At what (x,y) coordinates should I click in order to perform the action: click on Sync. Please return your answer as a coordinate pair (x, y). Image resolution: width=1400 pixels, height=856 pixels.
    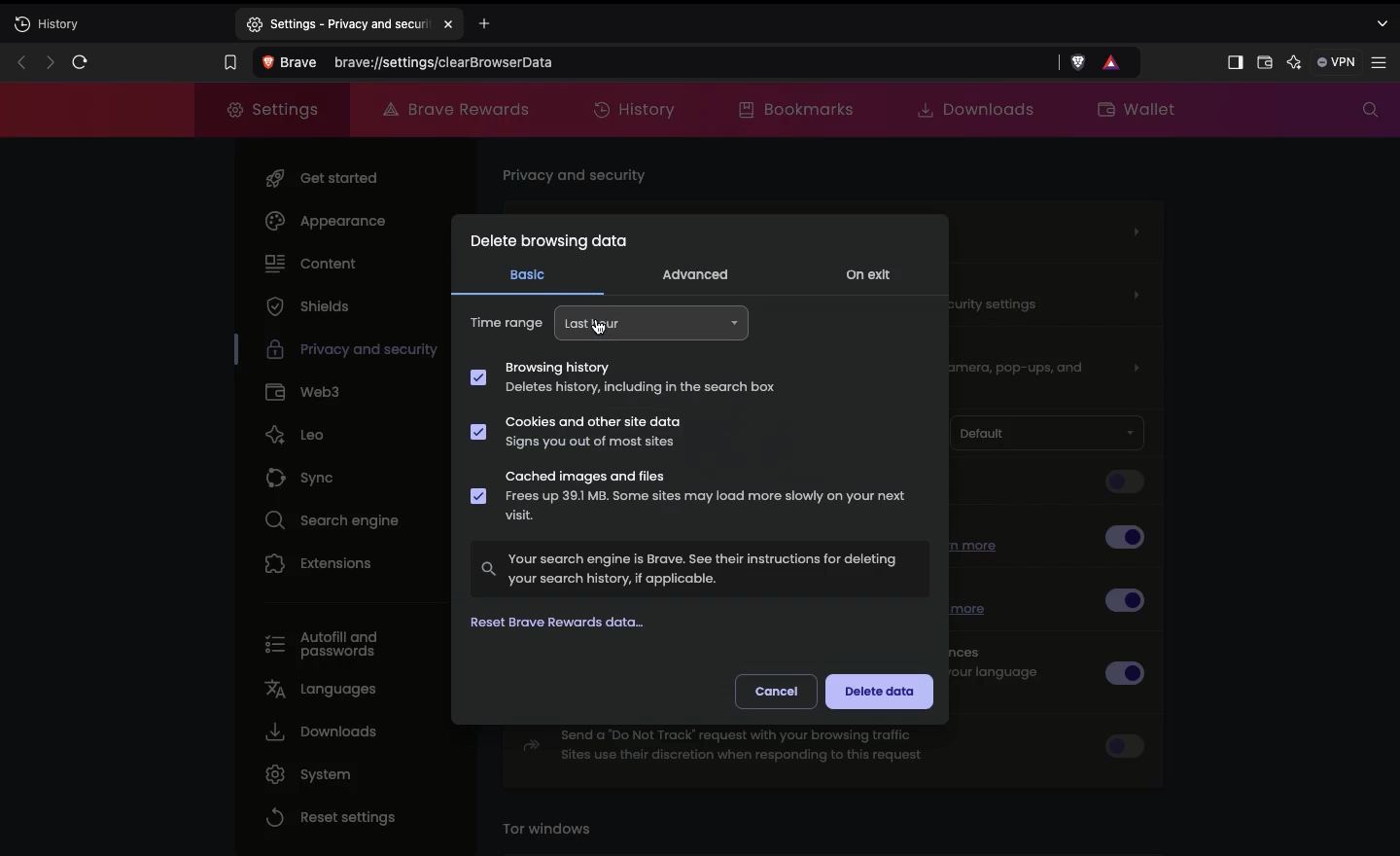
    Looking at the image, I should click on (317, 480).